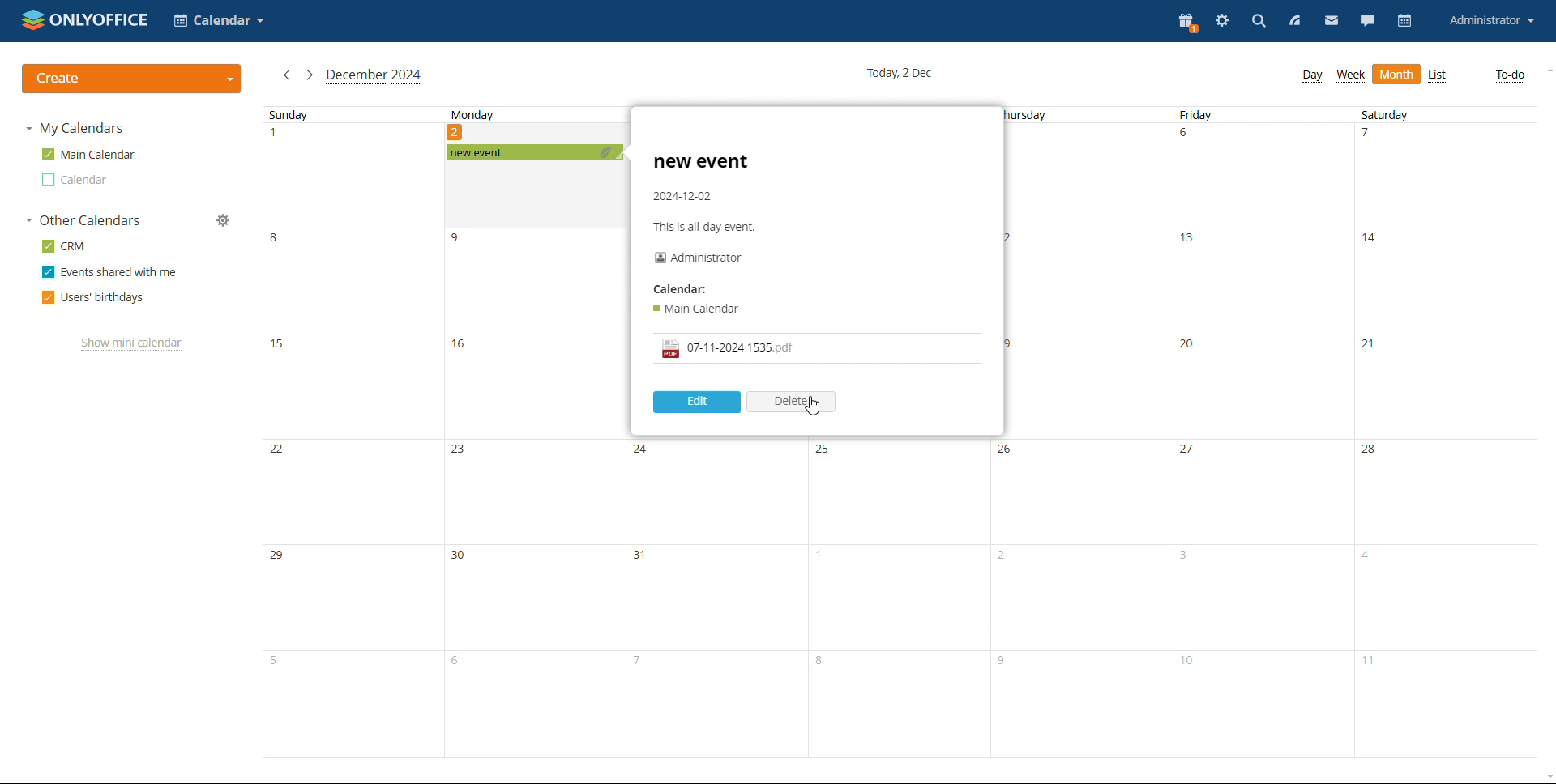  Describe the element at coordinates (463, 239) in the screenshot. I see `9` at that location.